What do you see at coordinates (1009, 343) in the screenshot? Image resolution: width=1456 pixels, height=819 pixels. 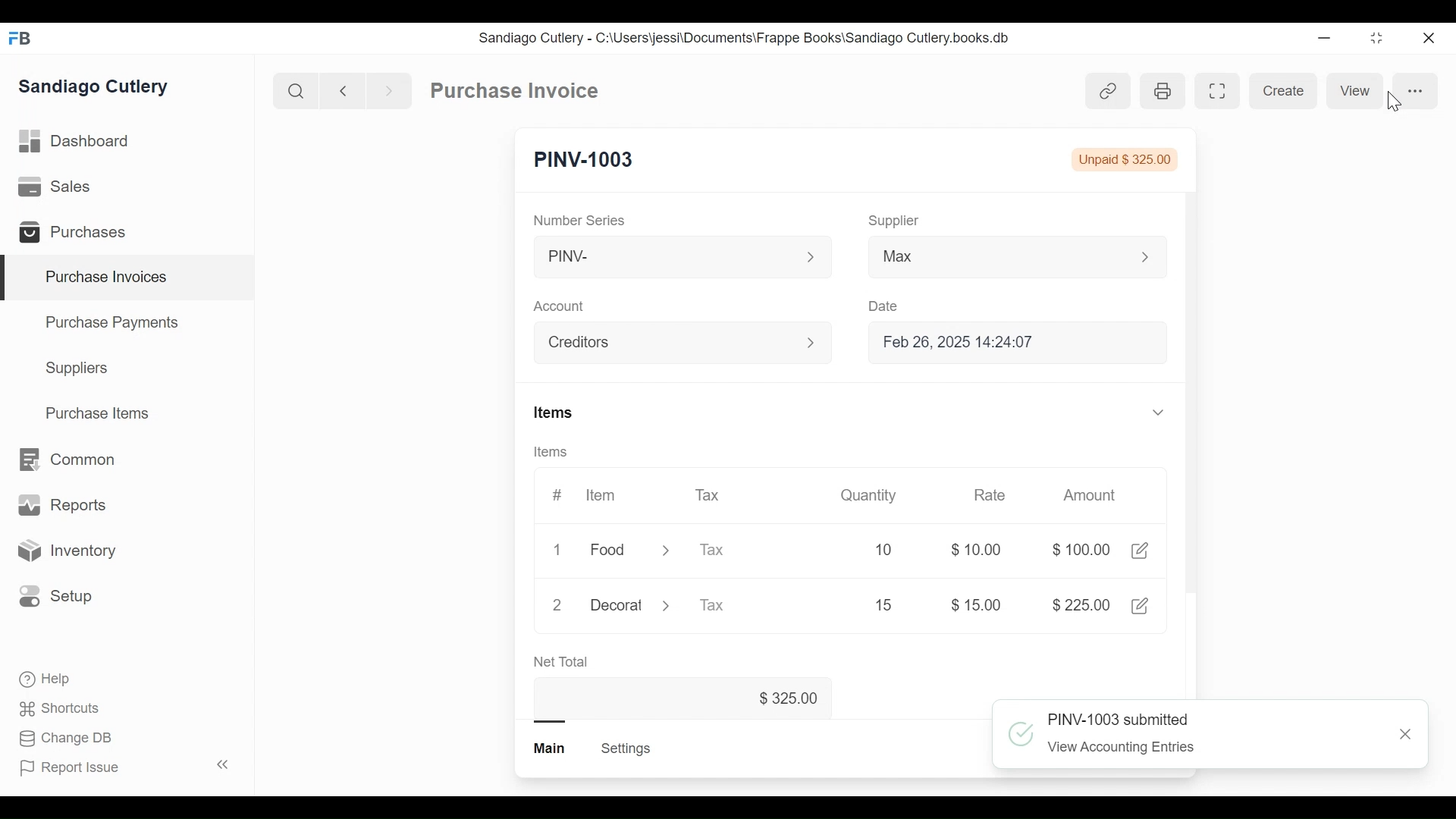 I see `Feb 26, 2025 14:24:07` at bounding box center [1009, 343].